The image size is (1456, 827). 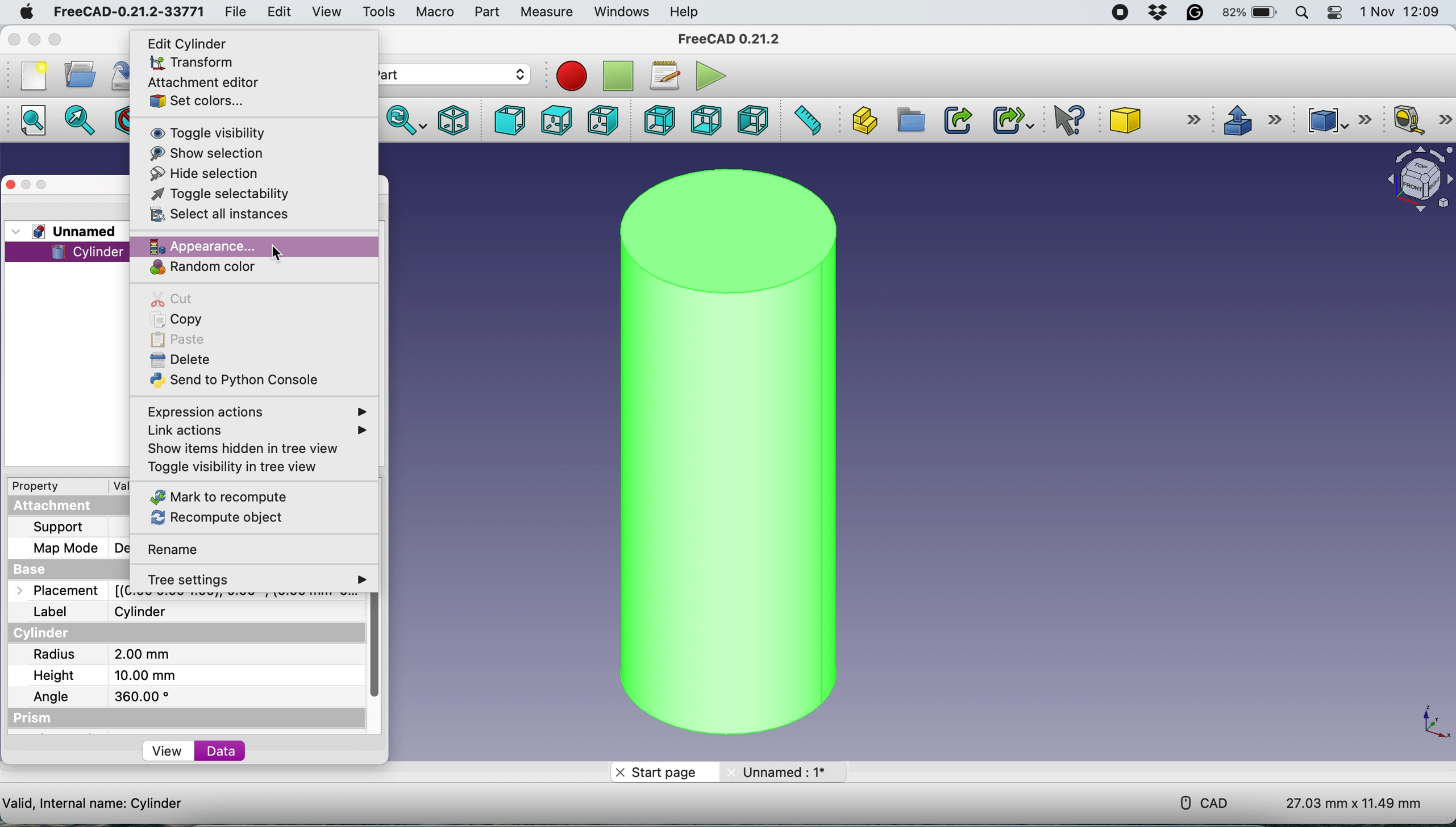 What do you see at coordinates (459, 74) in the screenshot?
I see `workbench` at bounding box center [459, 74].